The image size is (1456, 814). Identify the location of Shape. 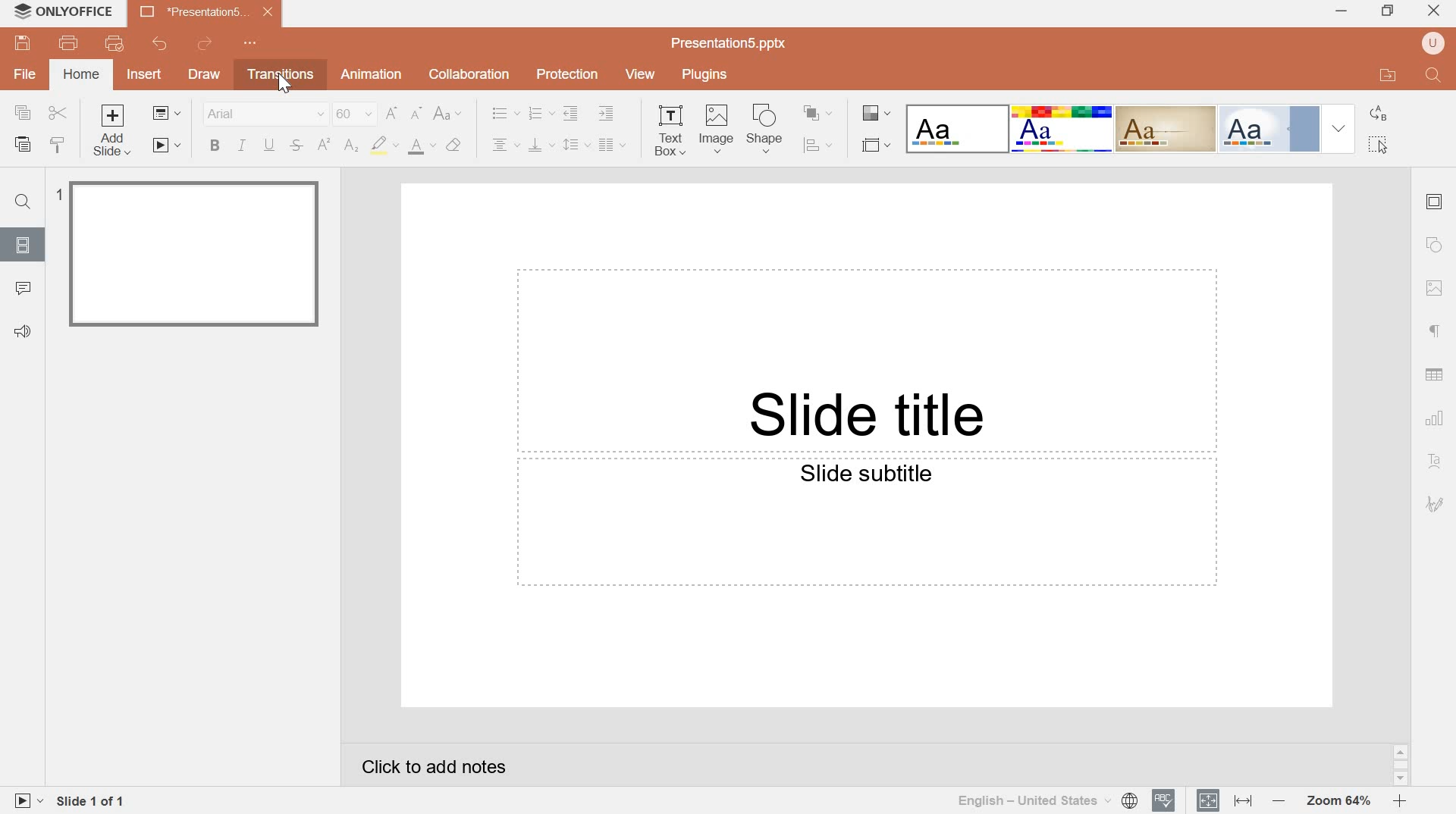
(767, 129).